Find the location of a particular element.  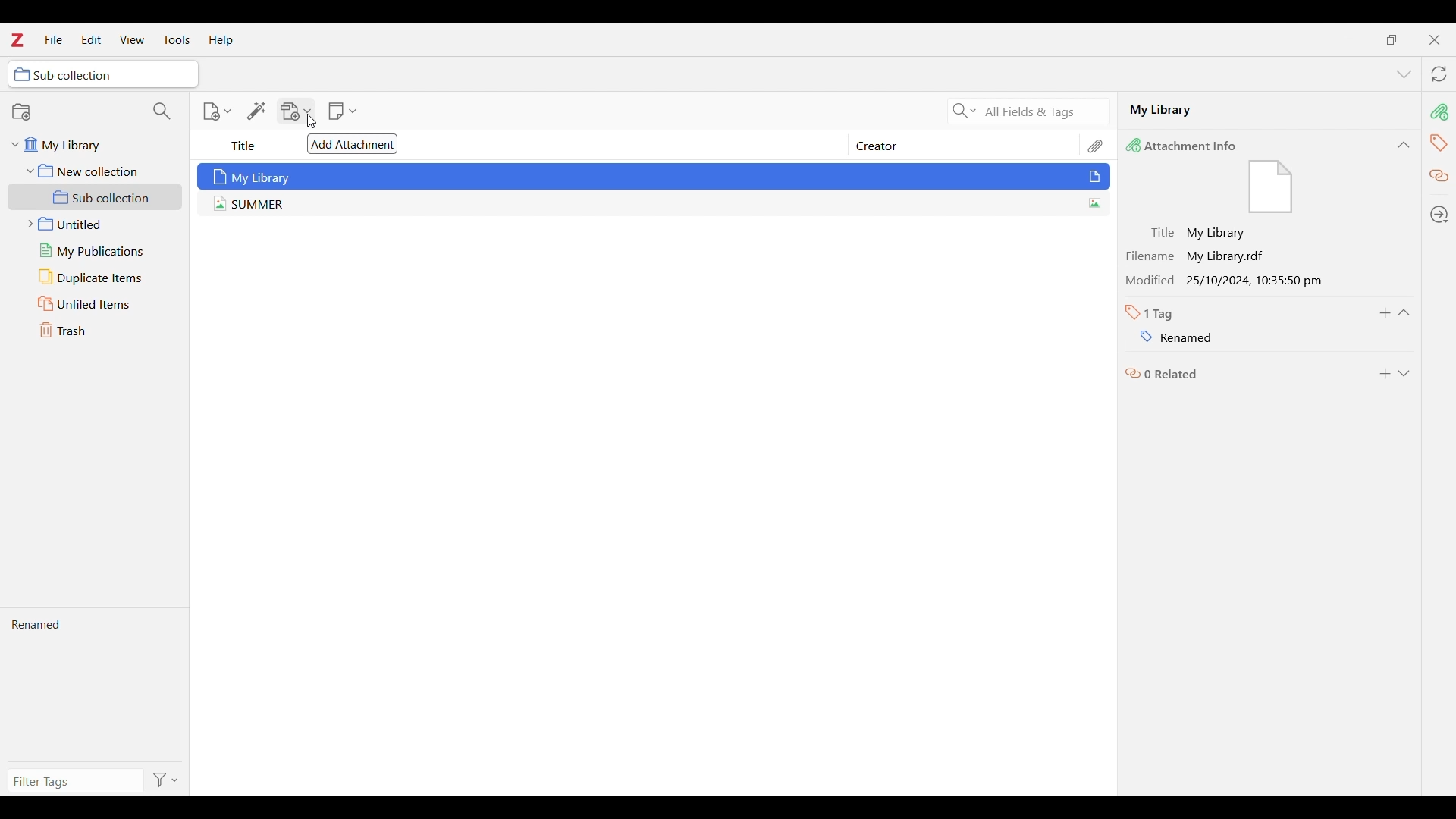

Add is located at coordinates (1385, 313).